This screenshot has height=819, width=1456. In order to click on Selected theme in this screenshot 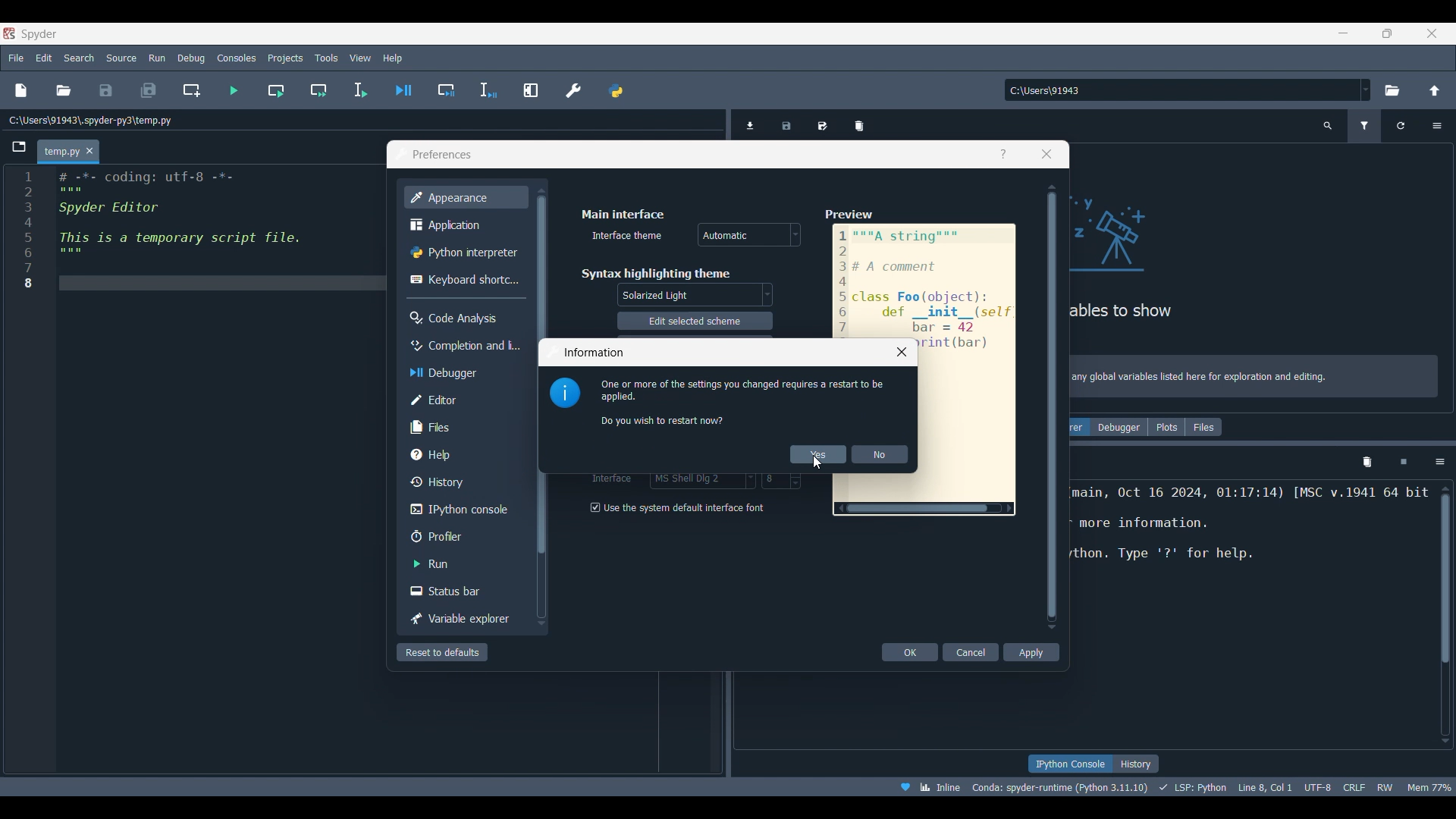, I will do `click(697, 294)`.